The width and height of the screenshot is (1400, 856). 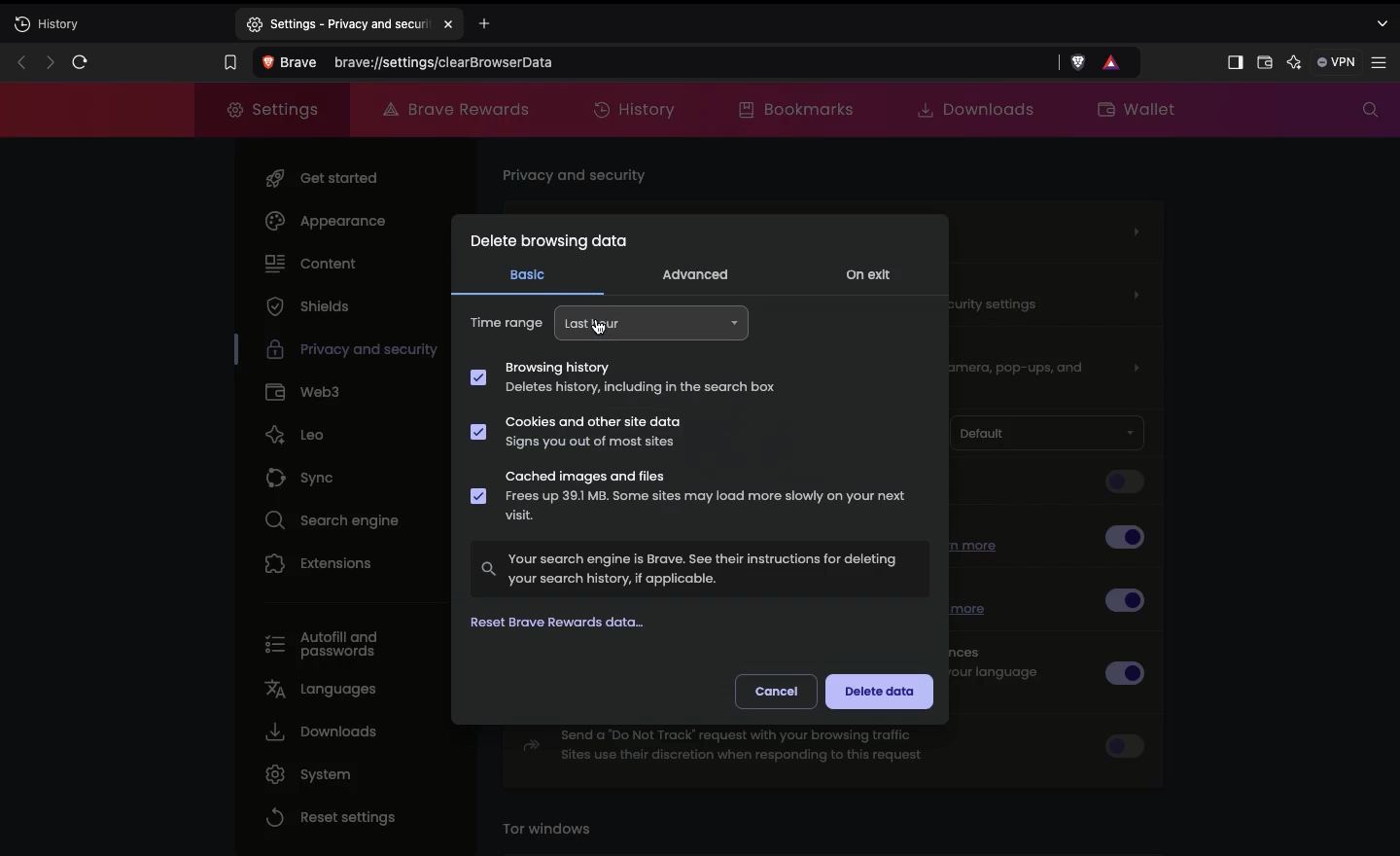 What do you see at coordinates (116, 26) in the screenshot?
I see `New tab` at bounding box center [116, 26].